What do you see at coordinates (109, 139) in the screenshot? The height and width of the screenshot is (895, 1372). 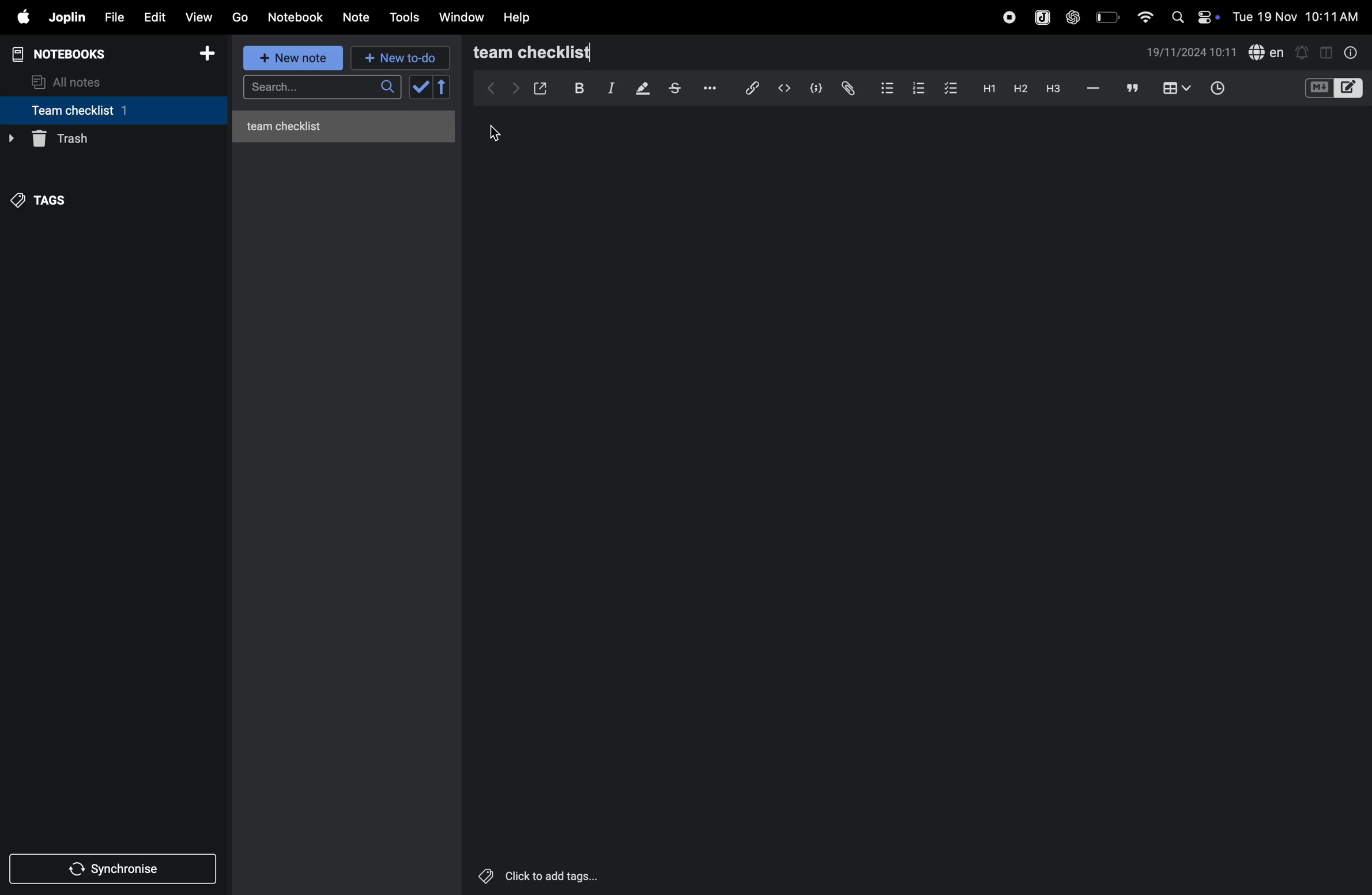 I see `trash` at bounding box center [109, 139].